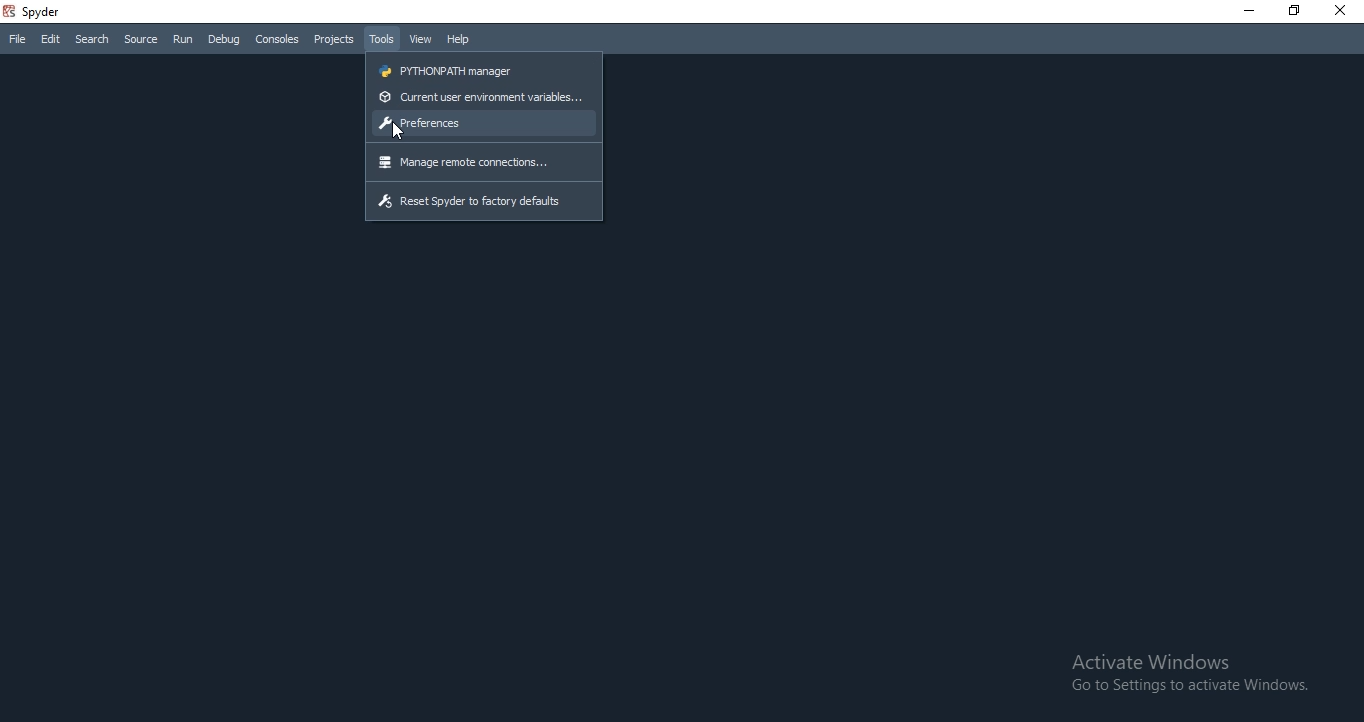 The image size is (1364, 722). What do you see at coordinates (483, 163) in the screenshot?
I see `manage remote connections` at bounding box center [483, 163].